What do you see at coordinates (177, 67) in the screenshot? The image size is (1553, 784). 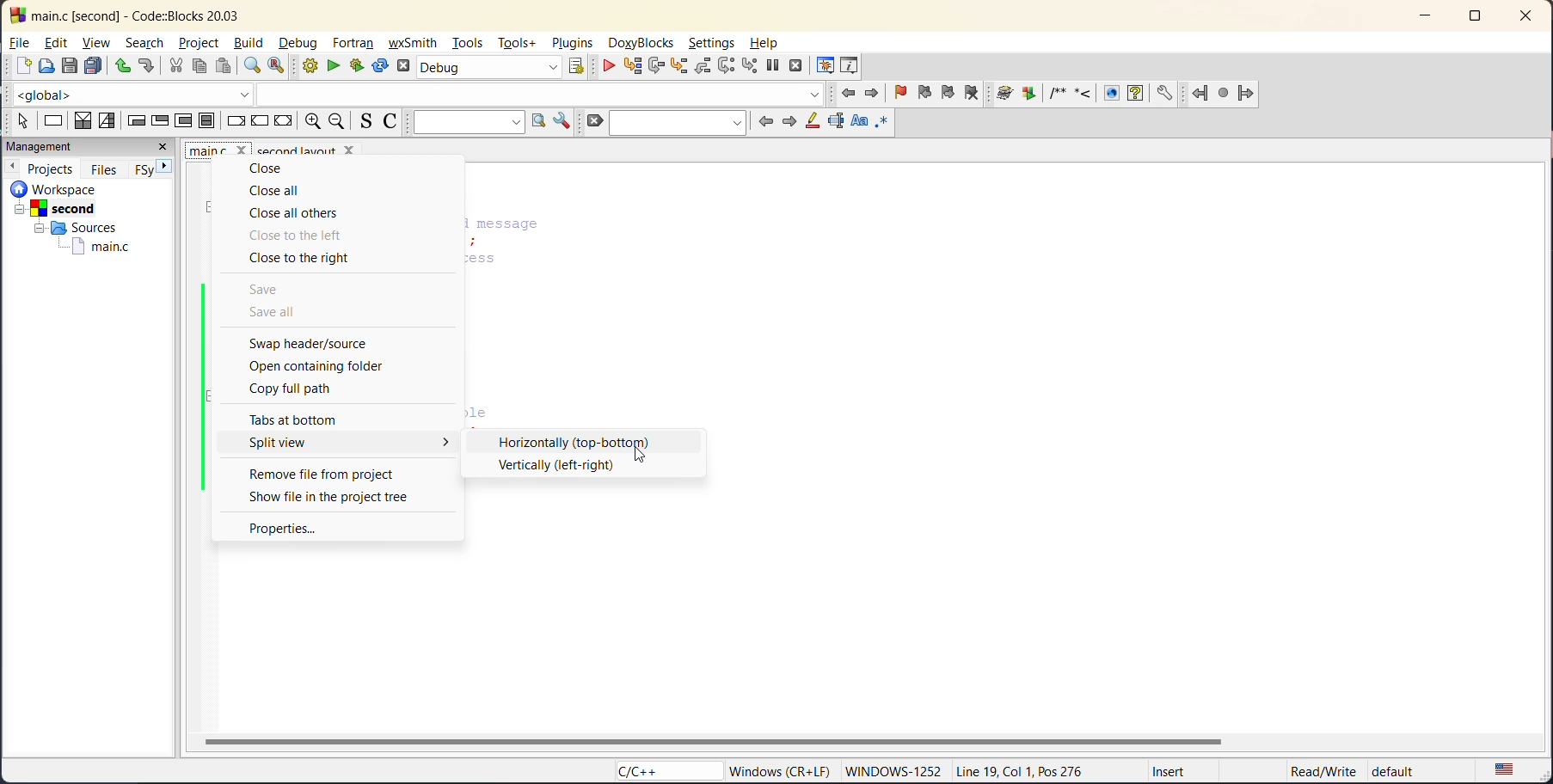 I see `cut` at bounding box center [177, 67].